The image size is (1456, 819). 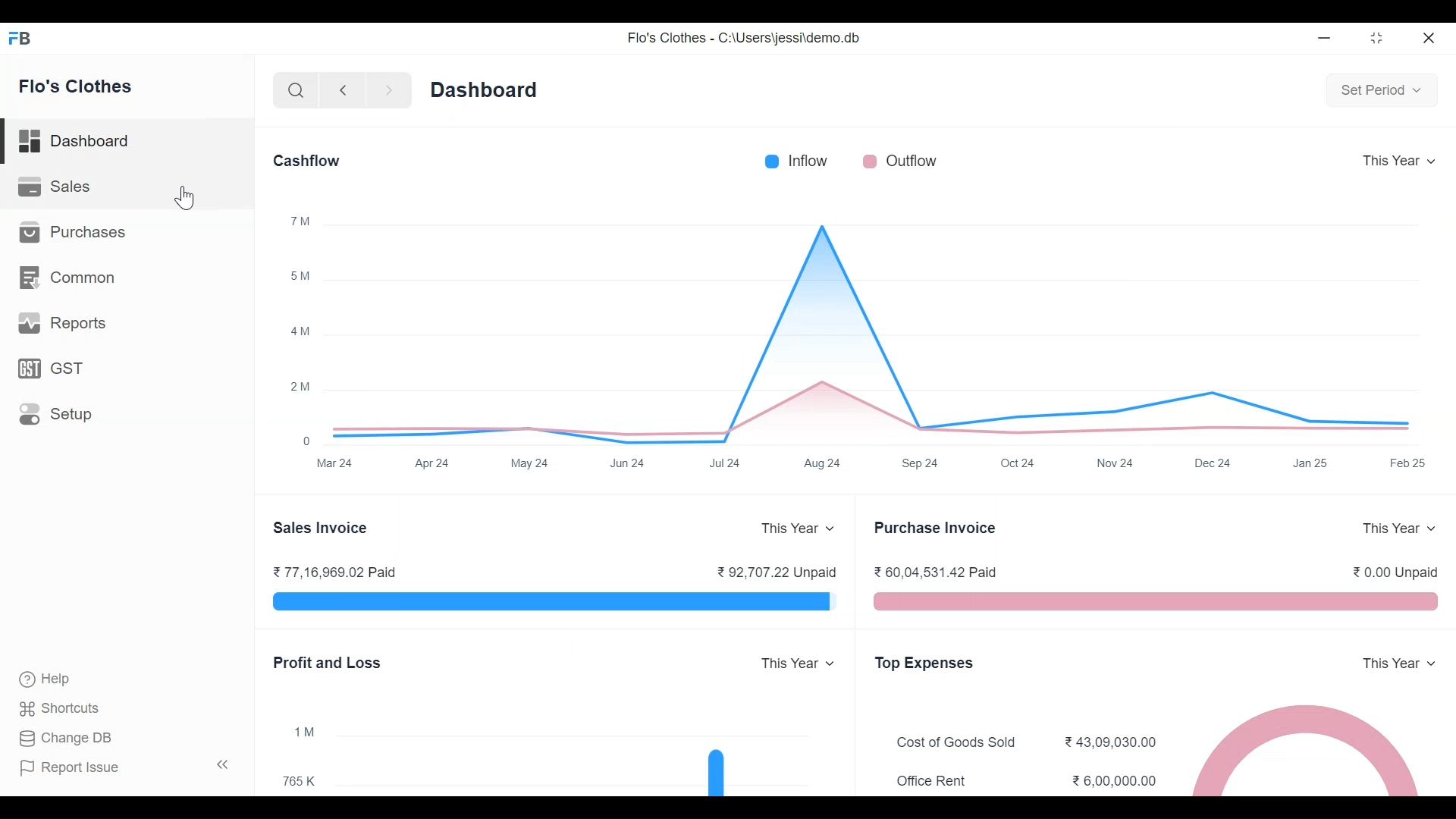 I want to click on 5M, so click(x=300, y=275).